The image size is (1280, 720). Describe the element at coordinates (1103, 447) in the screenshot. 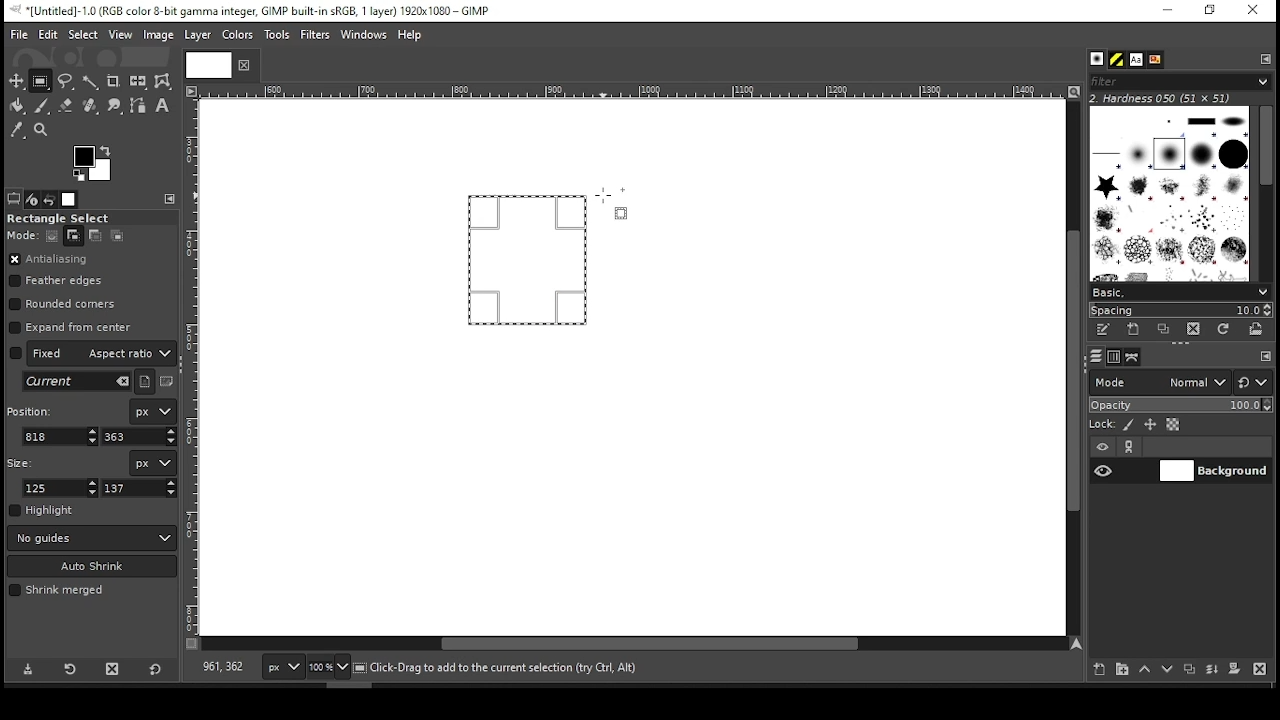

I see `layer visibility` at that location.